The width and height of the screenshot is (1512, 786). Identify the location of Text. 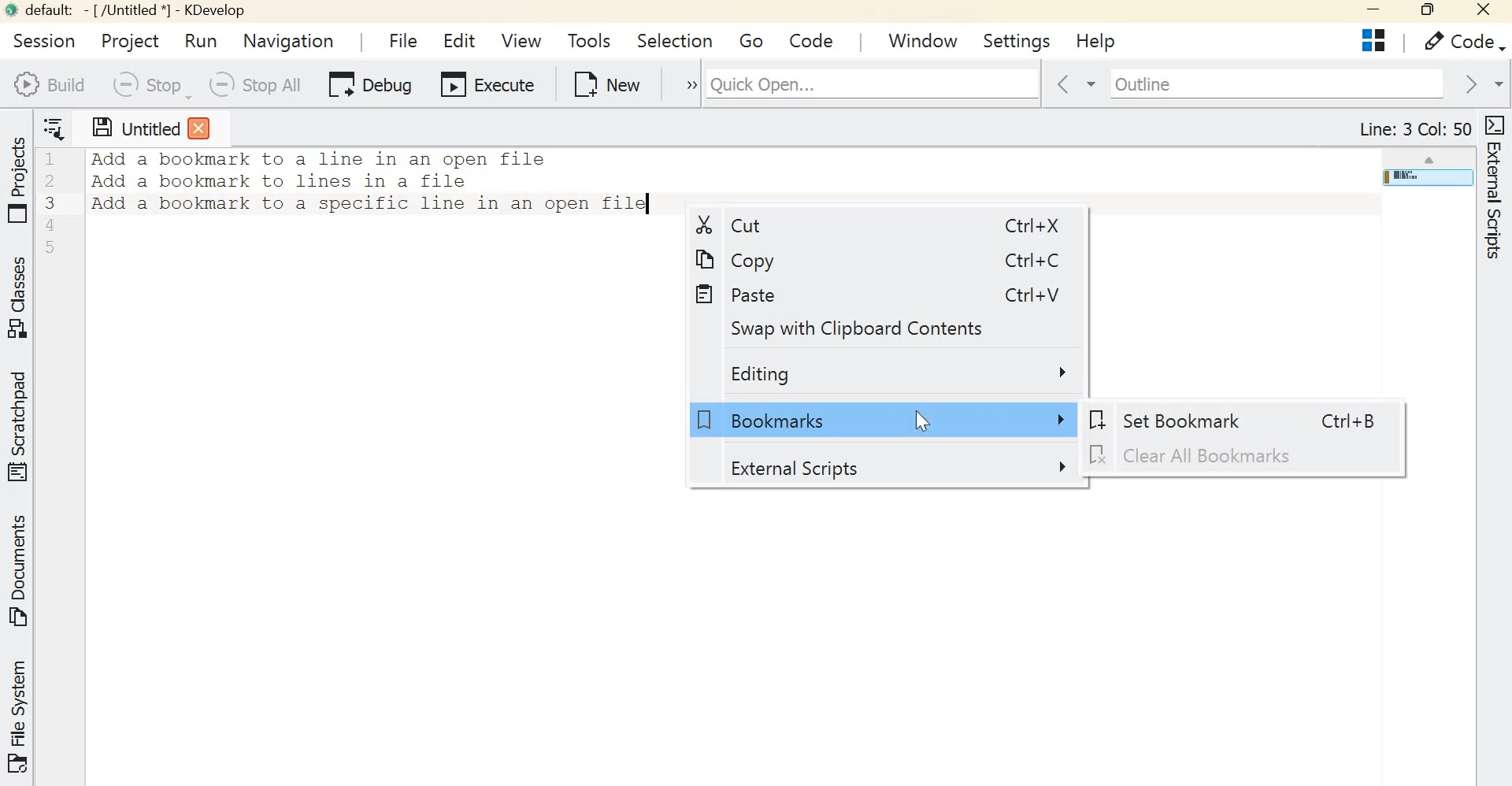
(372, 182).